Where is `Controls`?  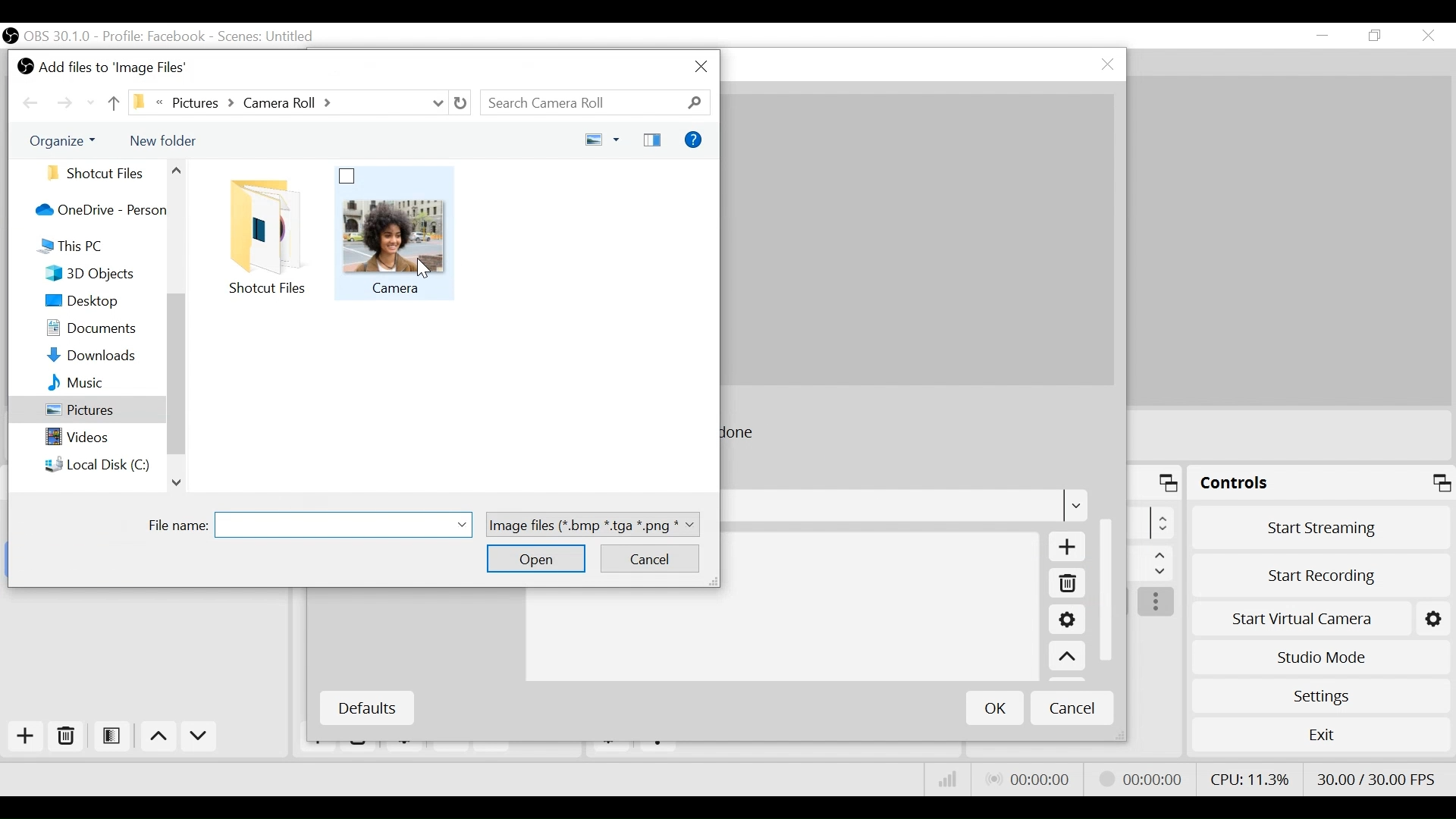
Controls is located at coordinates (1321, 485).